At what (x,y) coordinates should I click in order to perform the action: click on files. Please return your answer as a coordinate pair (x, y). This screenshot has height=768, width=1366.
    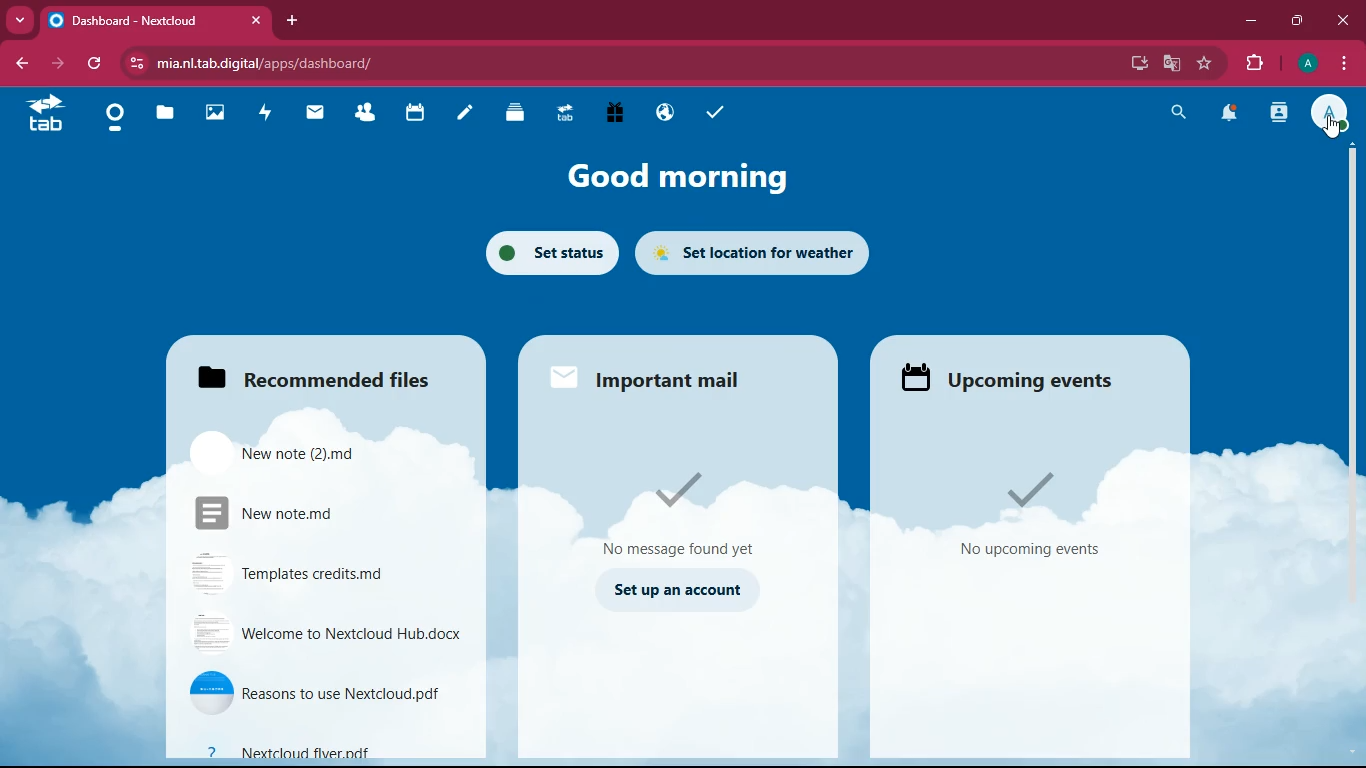
    Looking at the image, I should click on (160, 115).